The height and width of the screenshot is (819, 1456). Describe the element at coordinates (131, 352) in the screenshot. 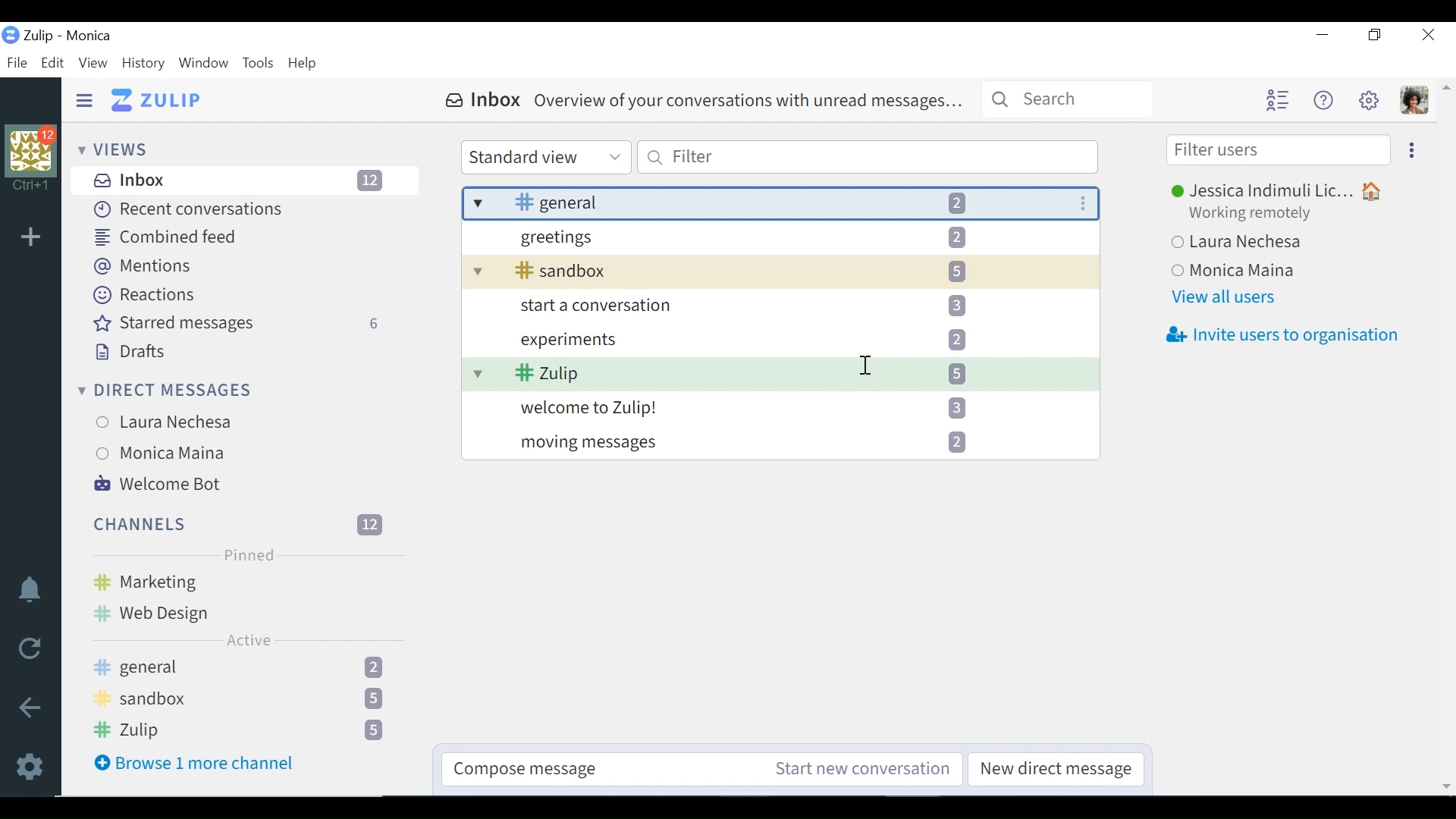

I see `Drafts` at that location.